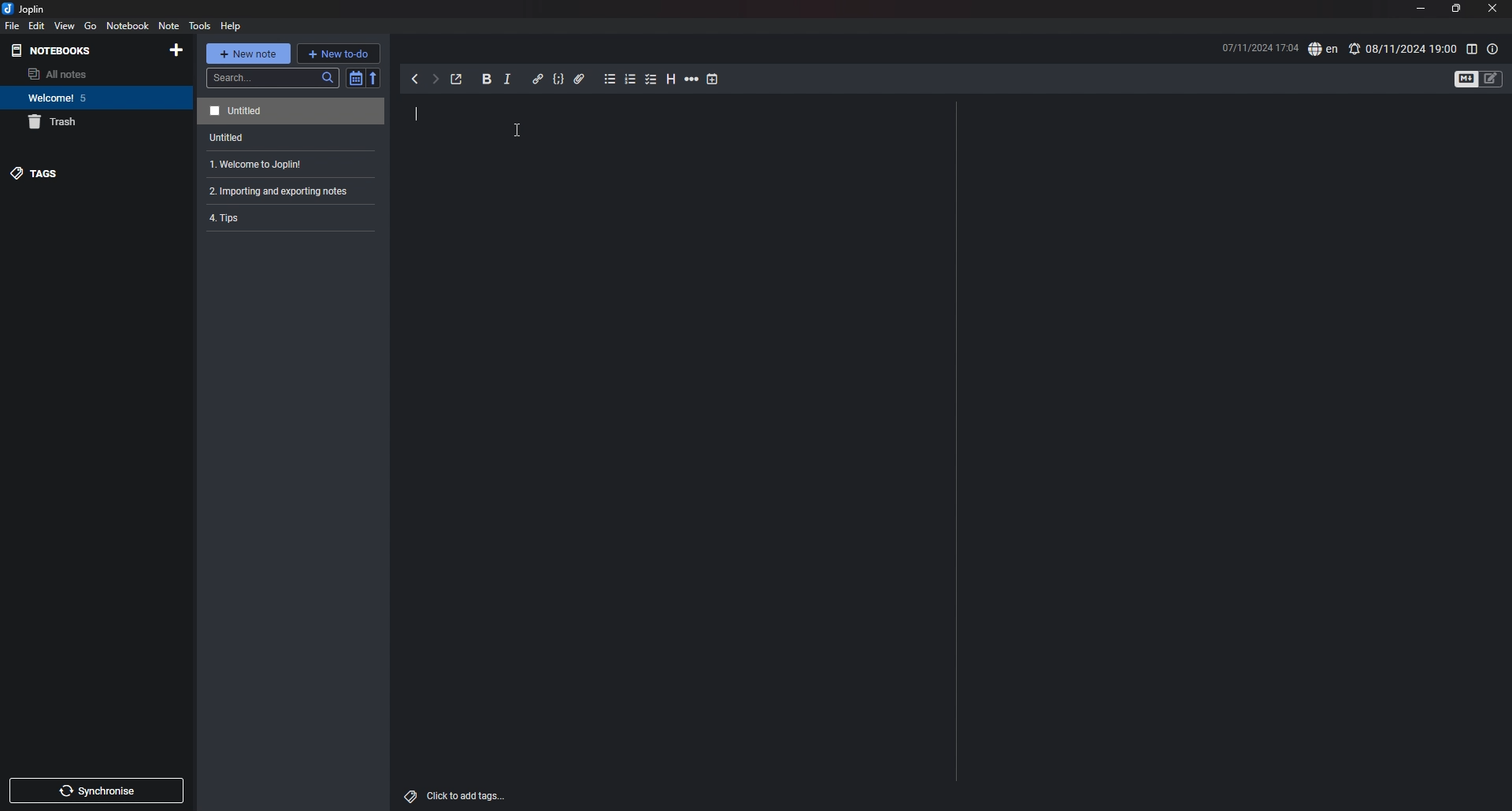  I want to click on note, so click(291, 191).